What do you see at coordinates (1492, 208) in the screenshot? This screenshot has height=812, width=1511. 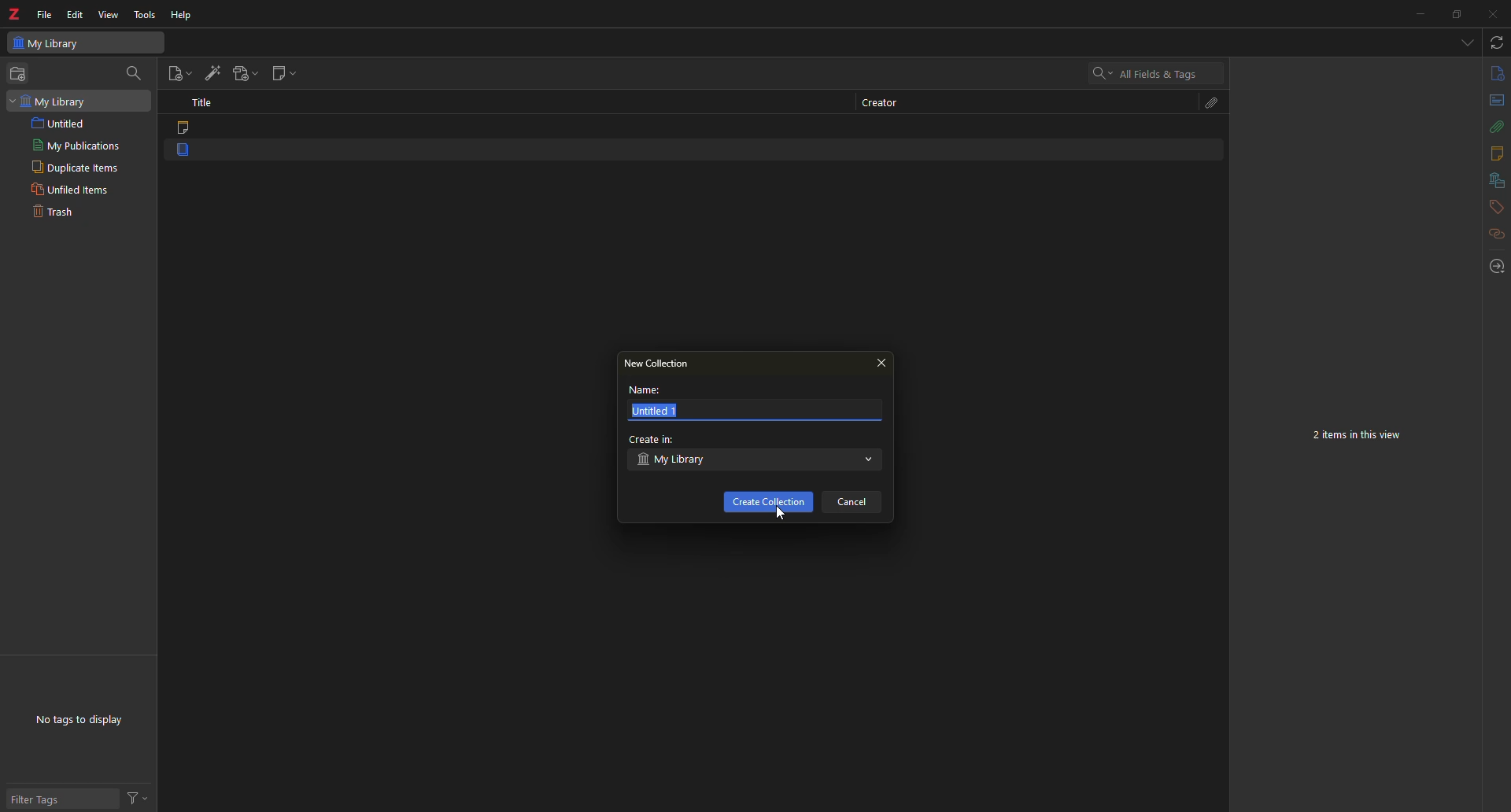 I see `tags` at bounding box center [1492, 208].